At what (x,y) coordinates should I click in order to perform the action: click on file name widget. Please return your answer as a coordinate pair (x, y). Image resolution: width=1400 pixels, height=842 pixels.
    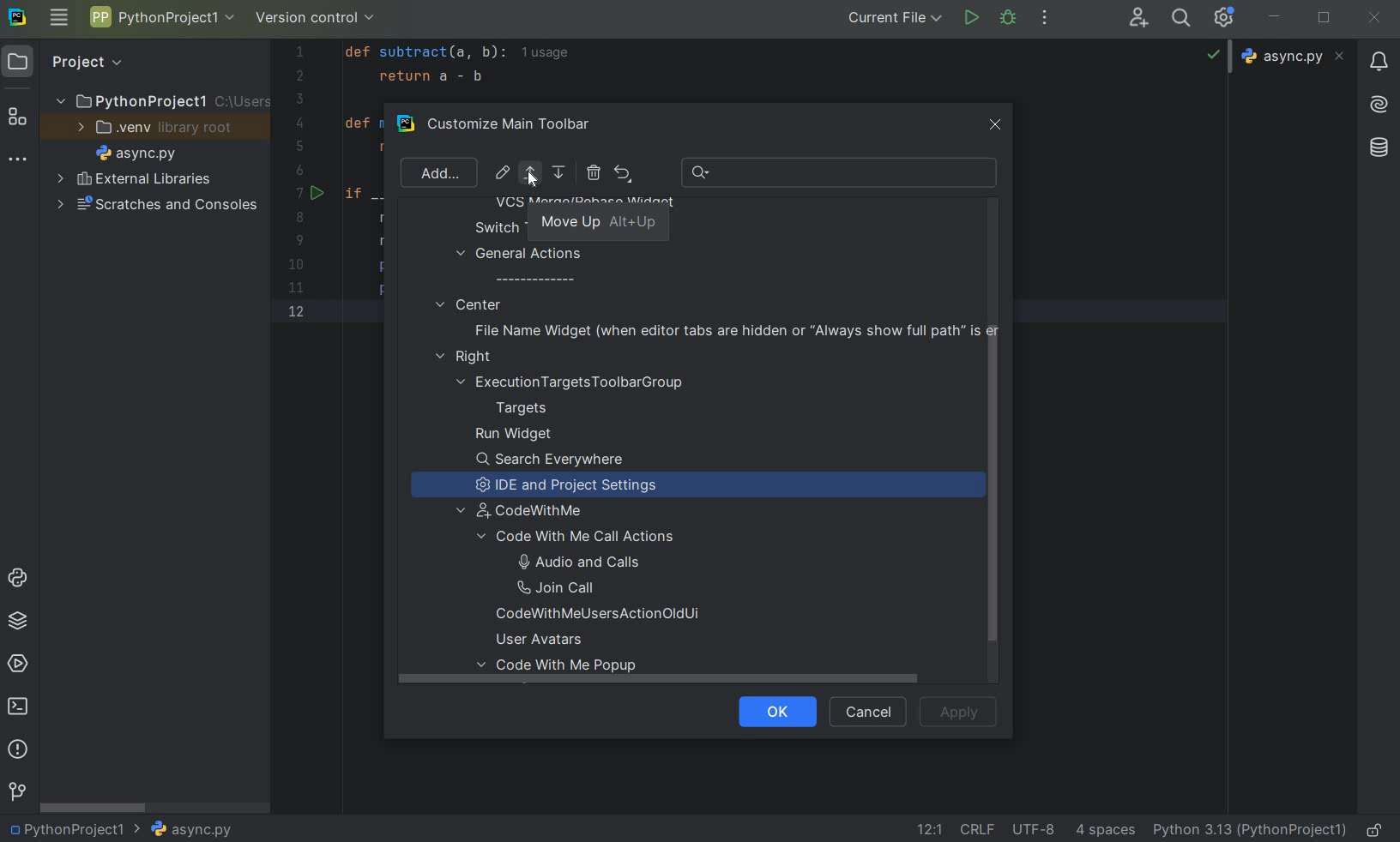
    Looking at the image, I should click on (732, 330).